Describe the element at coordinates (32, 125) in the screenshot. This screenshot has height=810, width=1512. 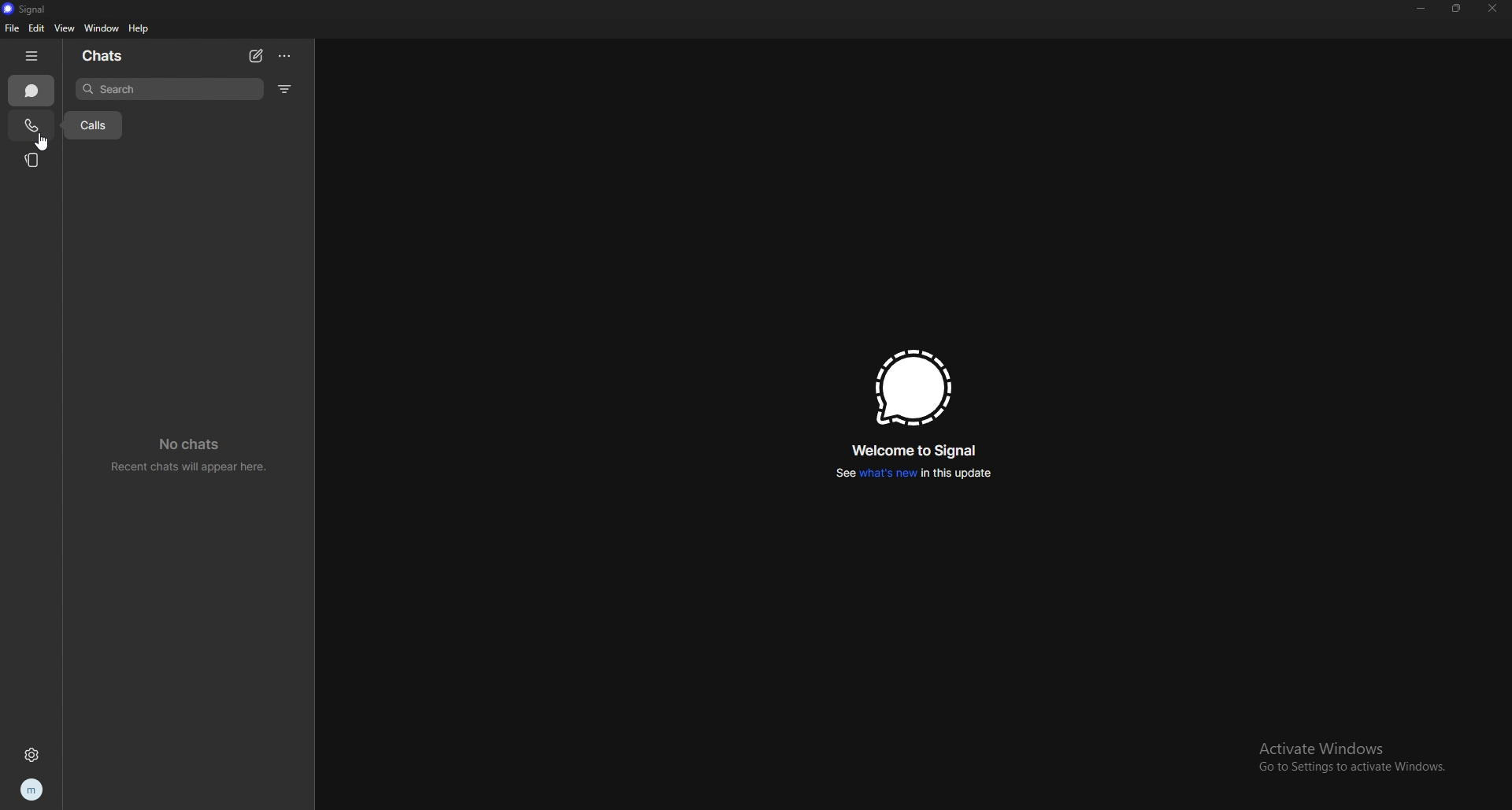
I see `calls` at that location.